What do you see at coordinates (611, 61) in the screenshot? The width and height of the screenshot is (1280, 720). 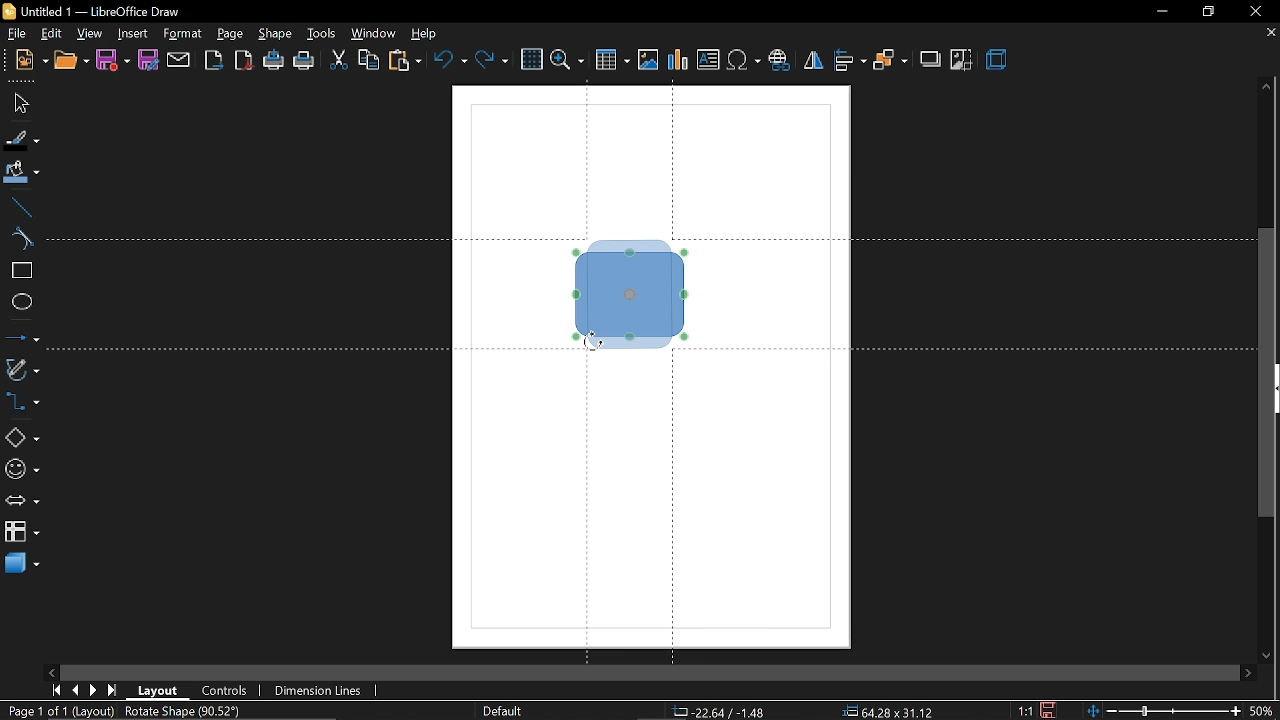 I see `insert table` at bounding box center [611, 61].